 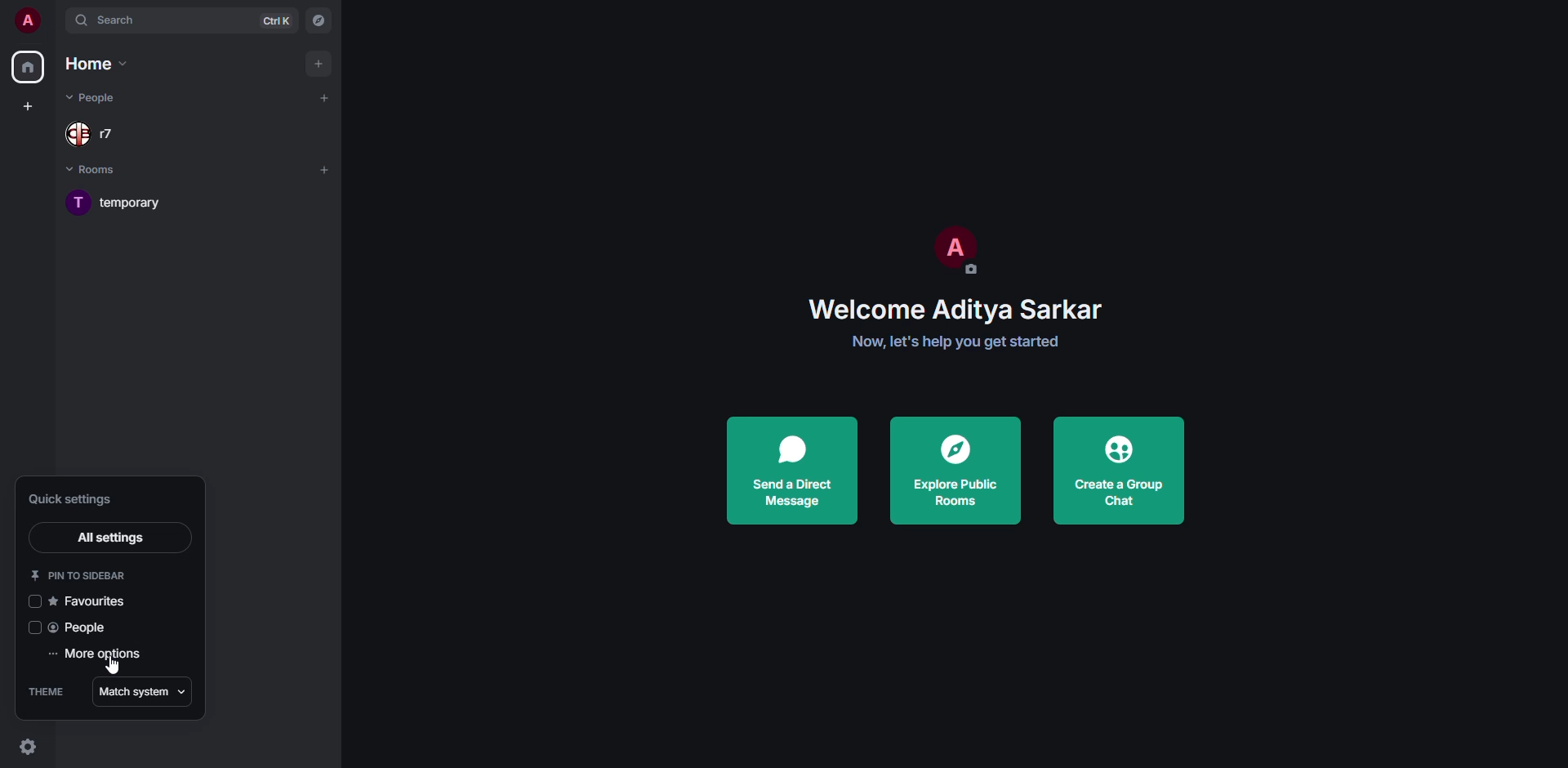 I want to click on send a direct message, so click(x=790, y=470).